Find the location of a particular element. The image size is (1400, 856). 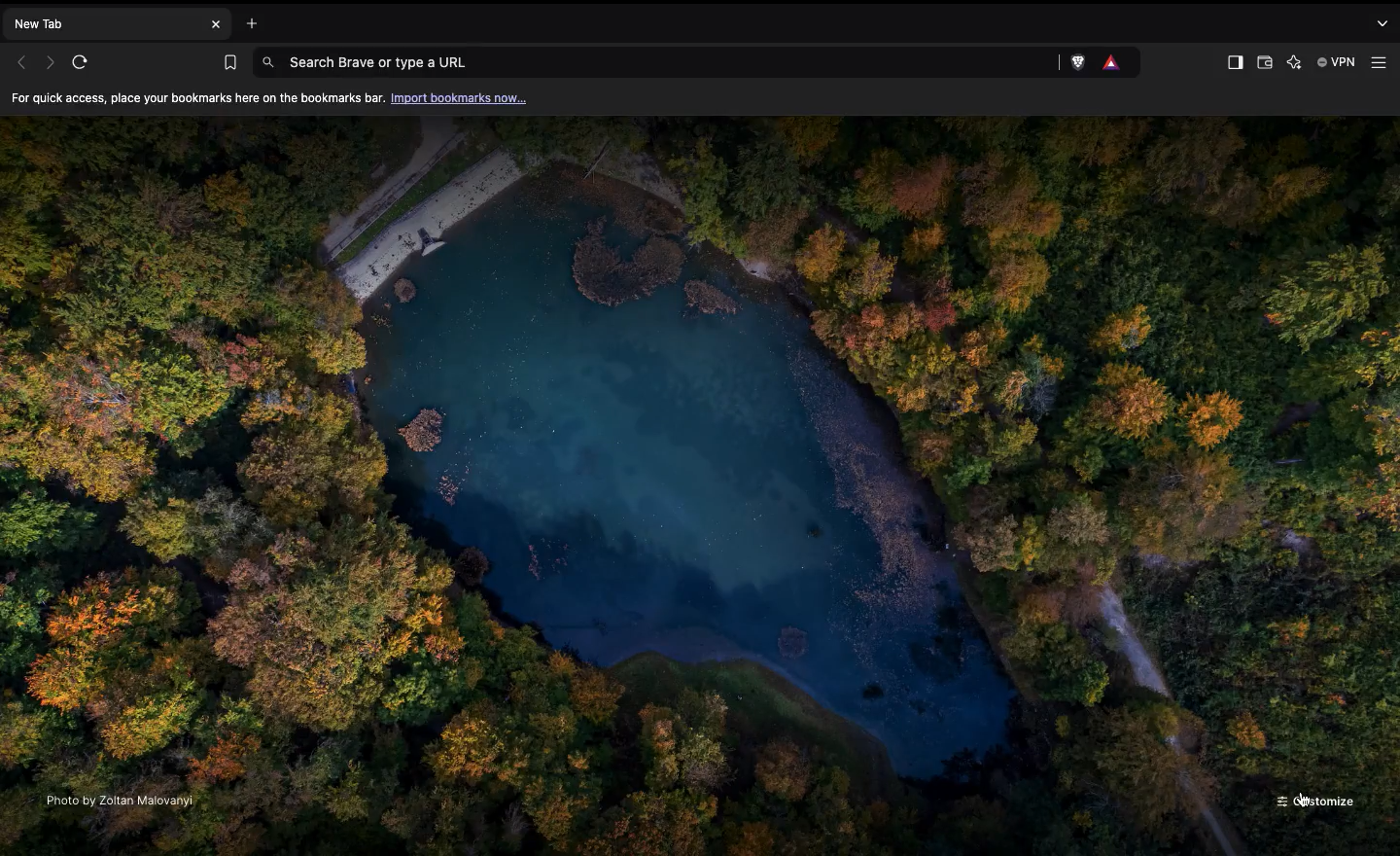

Next page is located at coordinates (52, 61).